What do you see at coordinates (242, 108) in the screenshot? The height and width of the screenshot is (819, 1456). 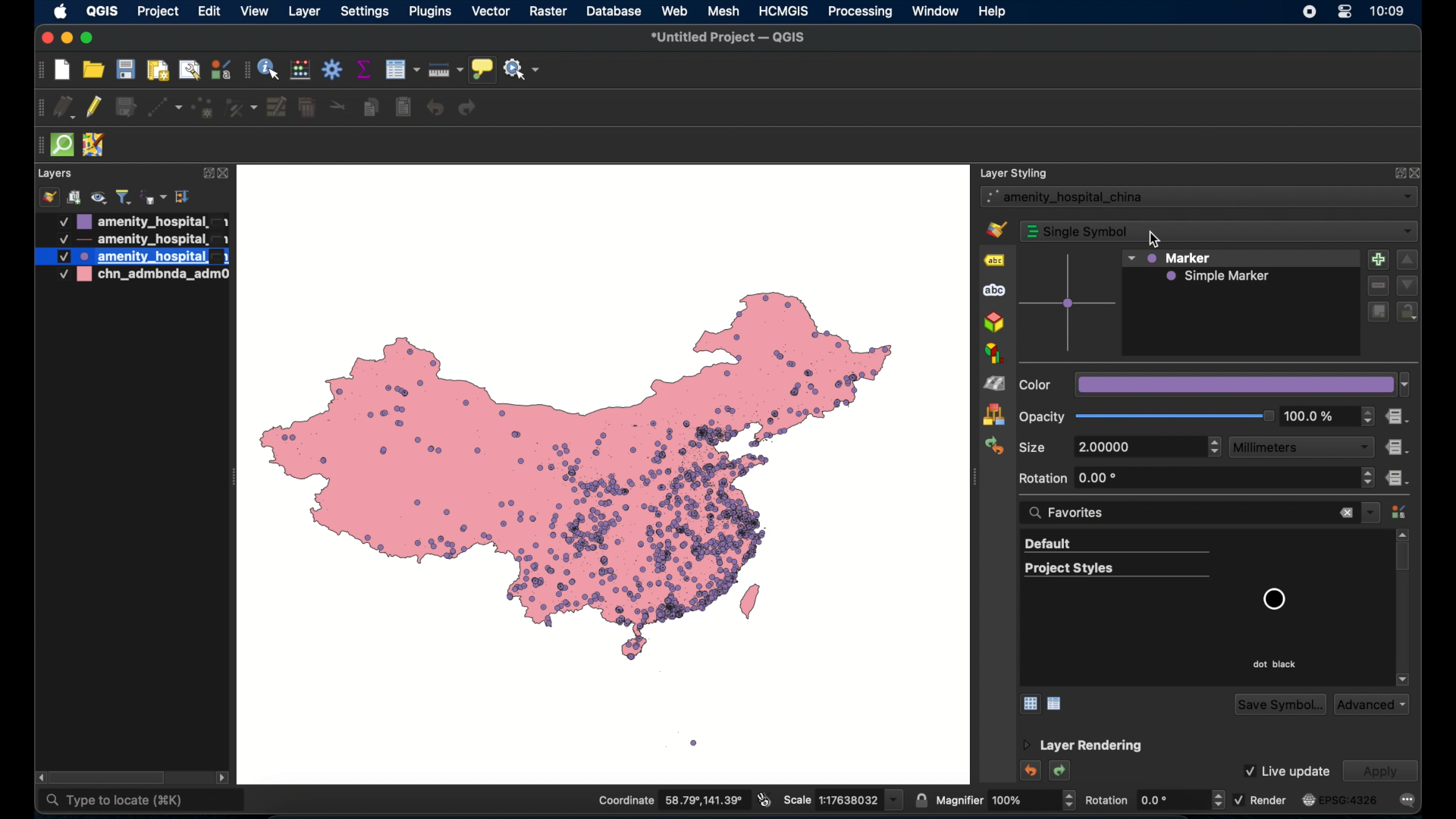 I see `vertex tool` at bounding box center [242, 108].